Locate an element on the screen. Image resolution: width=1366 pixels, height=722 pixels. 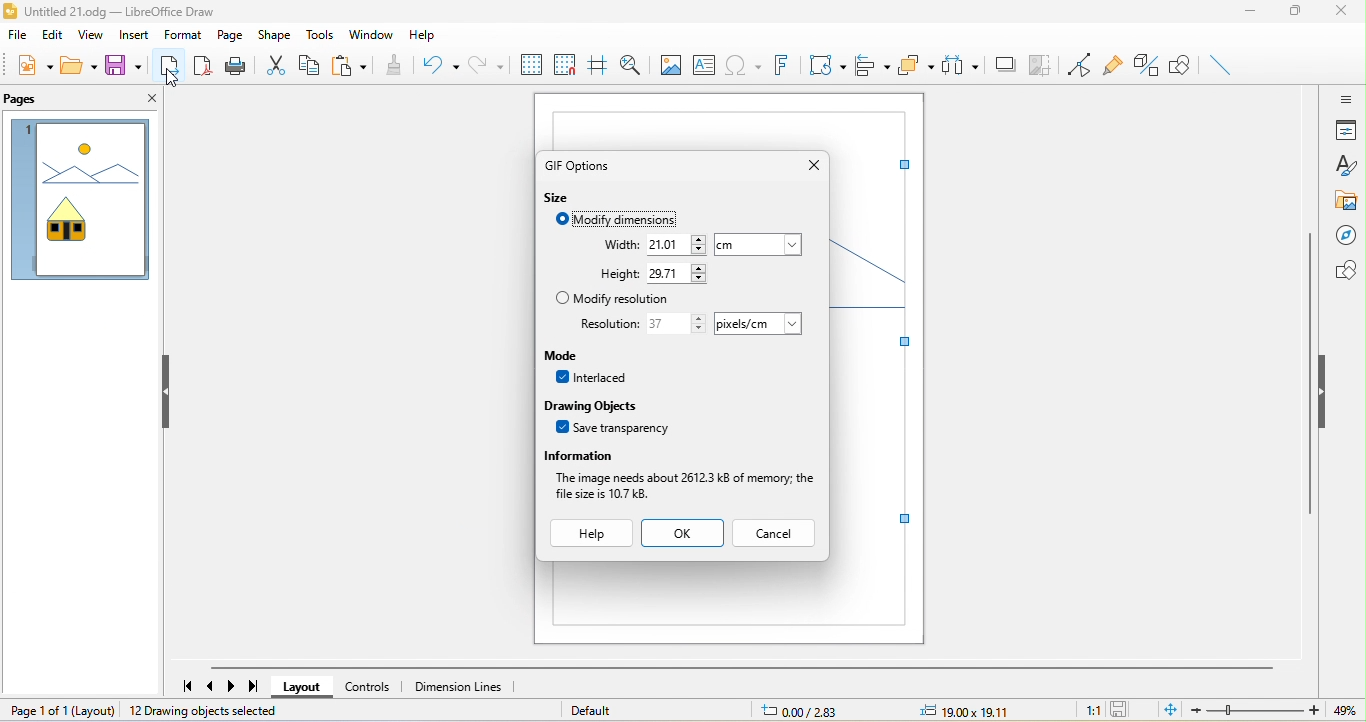
toggle point edit mode is located at coordinates (1082, 65).